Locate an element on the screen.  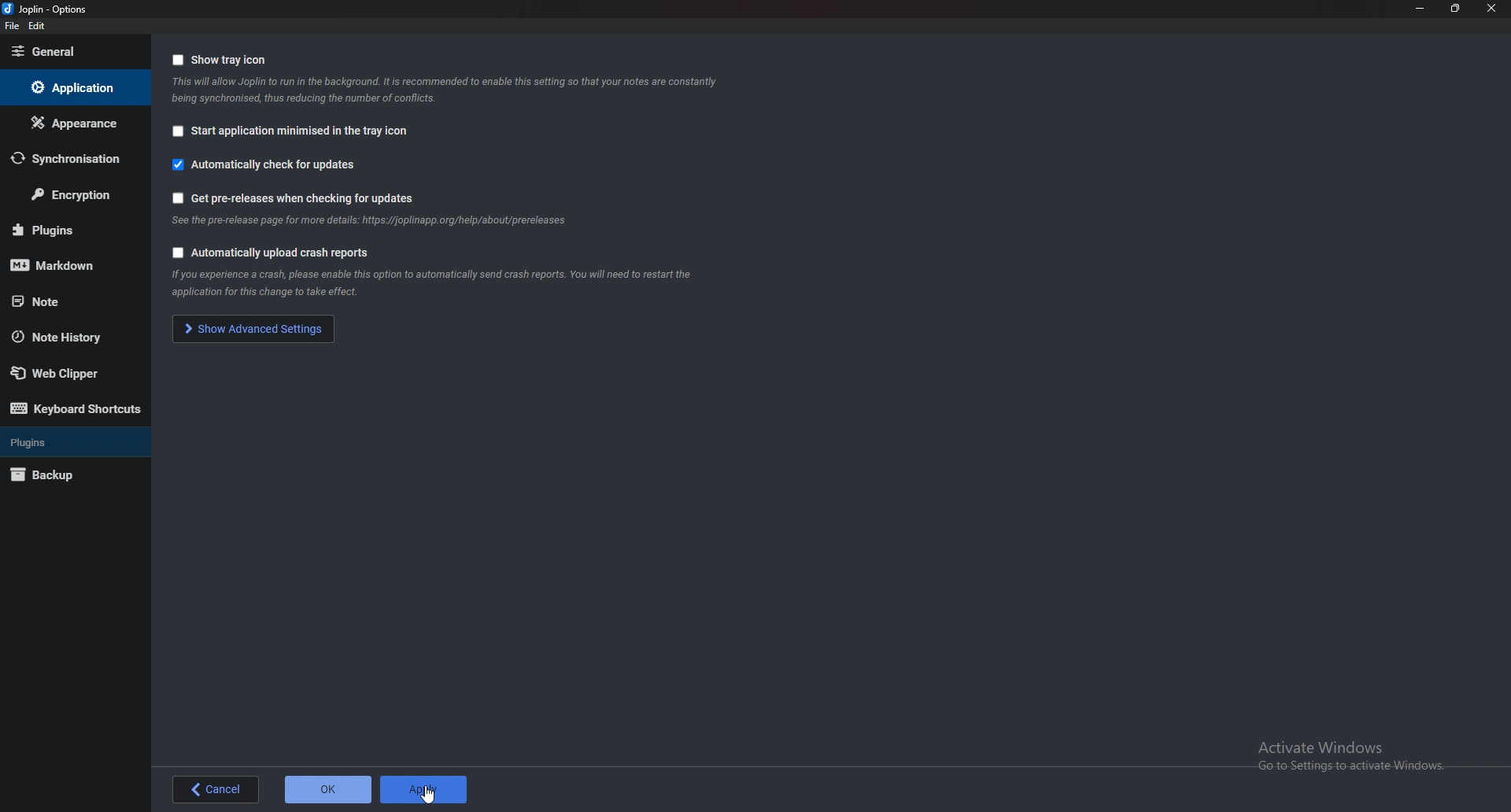
O K is located at coordinates (327, 789).